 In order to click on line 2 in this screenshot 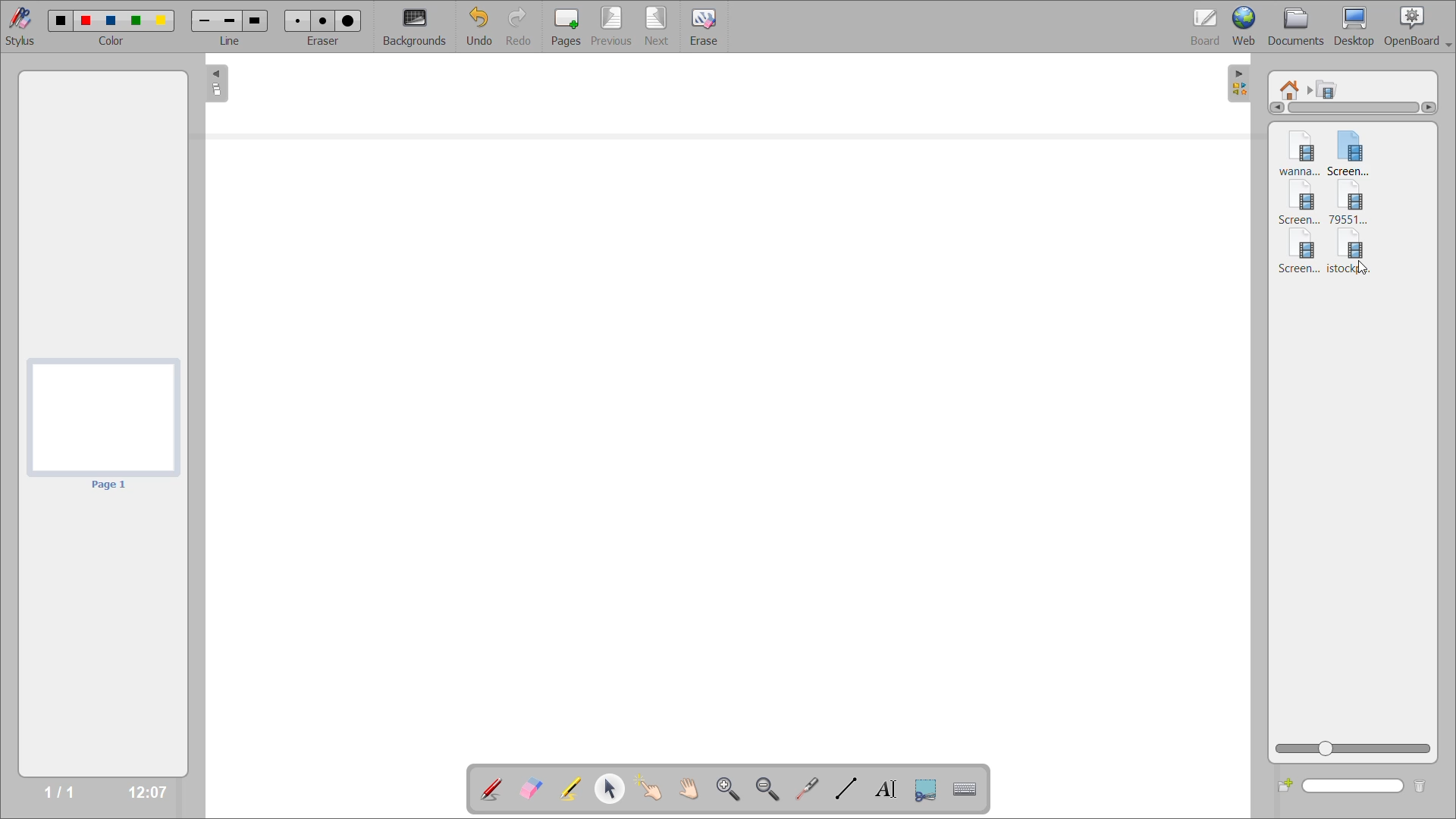, I will do `click(231, 20)`.